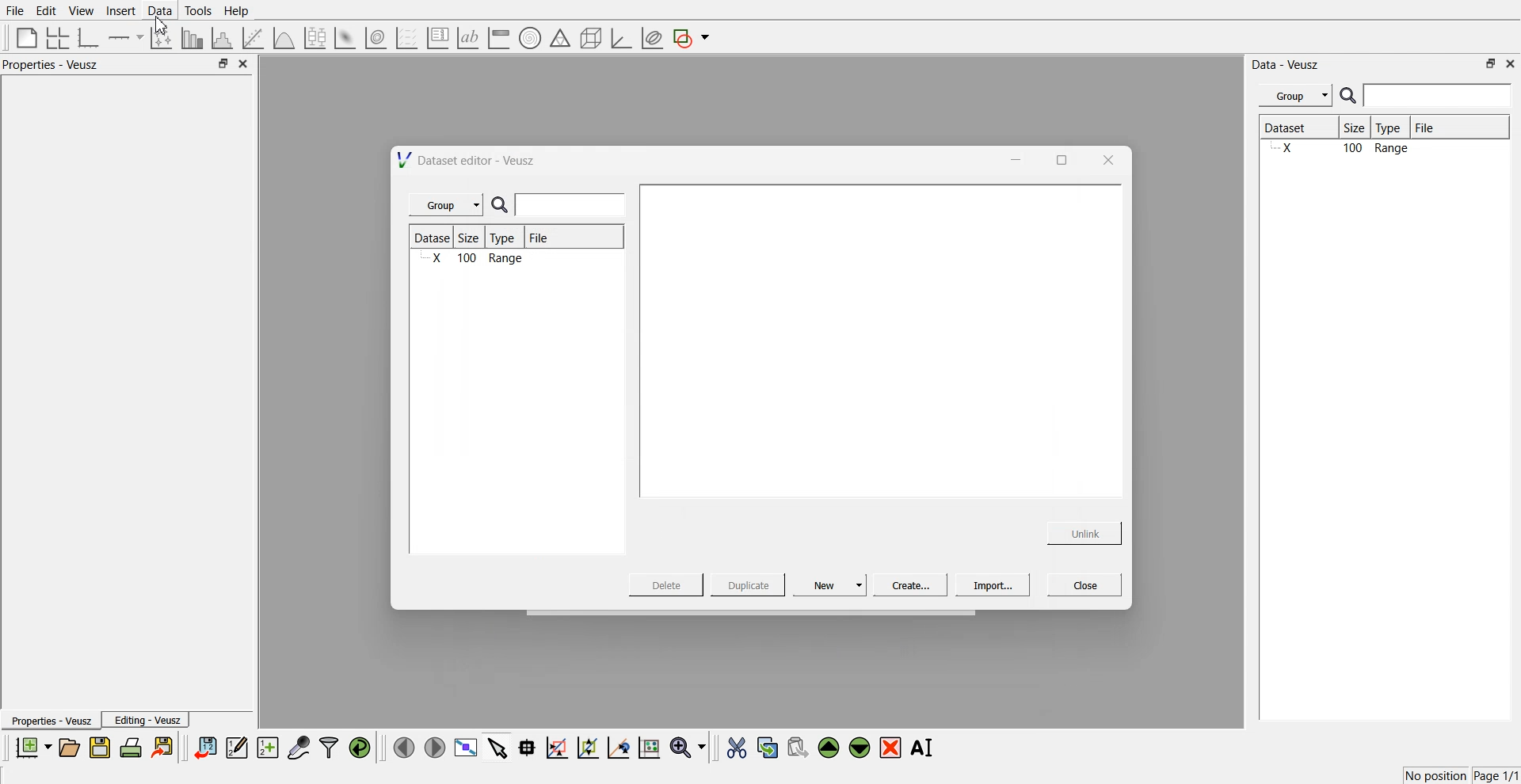 The width and height of the screenshot is (1521, 784). Describe the element at coordinates (51, 721) in the screenshot. I see `Properties - Veusz` at that location.